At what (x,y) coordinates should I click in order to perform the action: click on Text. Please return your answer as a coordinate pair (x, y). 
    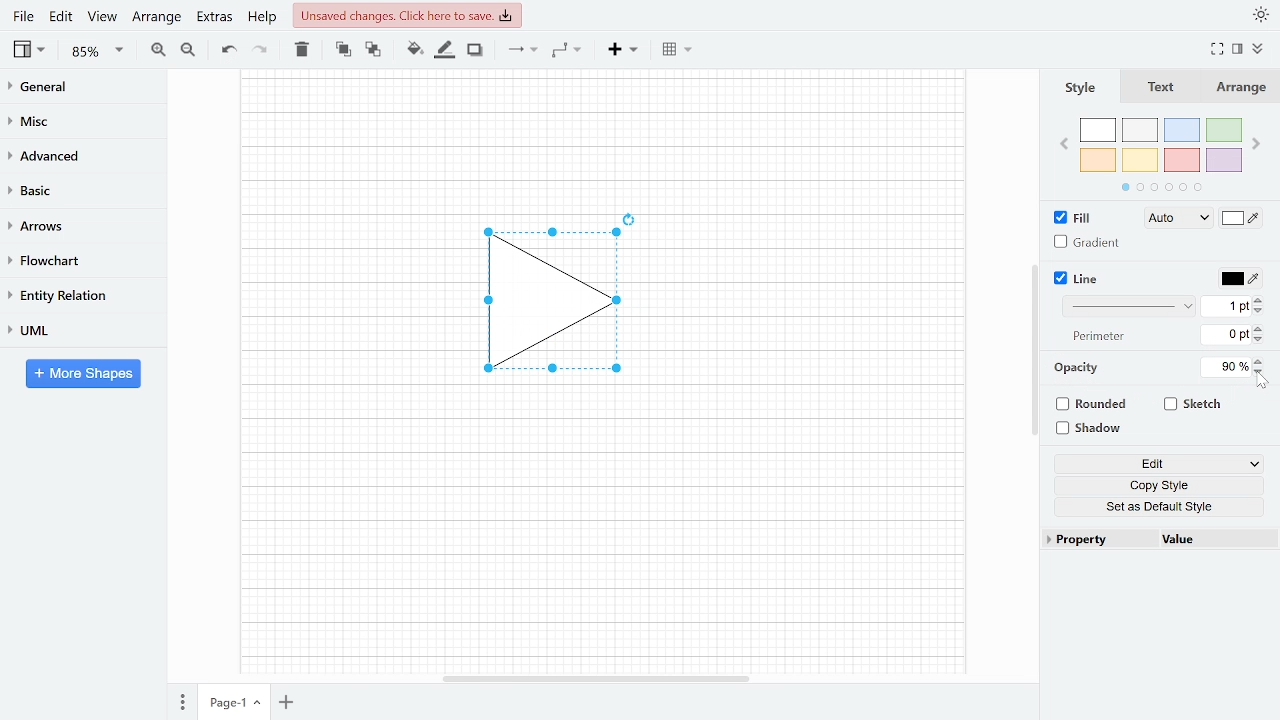
    Looking at the image, I should click on (1157, 88).